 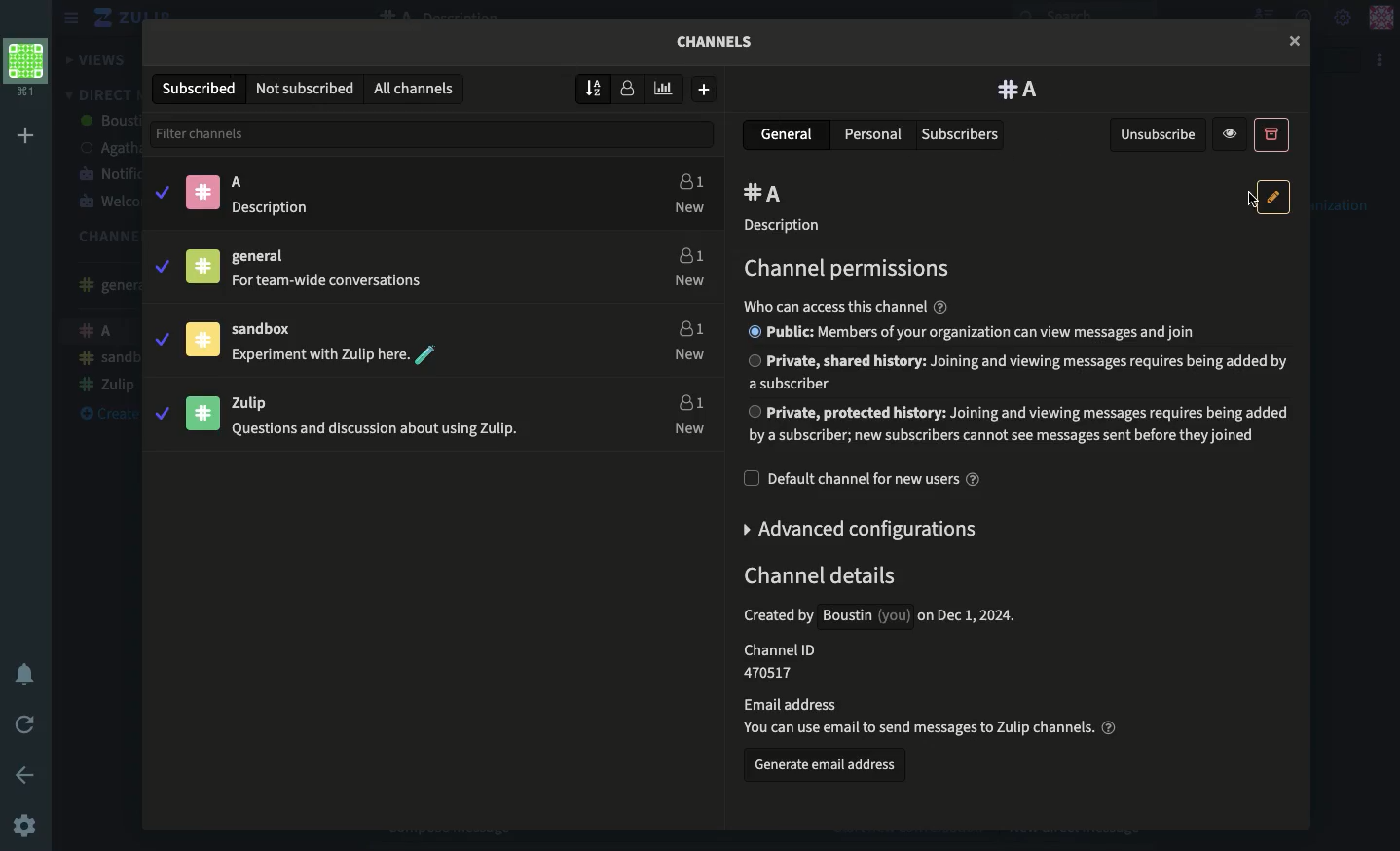 What do you see at coordinates (211, 263) in the screenshot?
I see `Pinned` at bounding box center [211, 263].